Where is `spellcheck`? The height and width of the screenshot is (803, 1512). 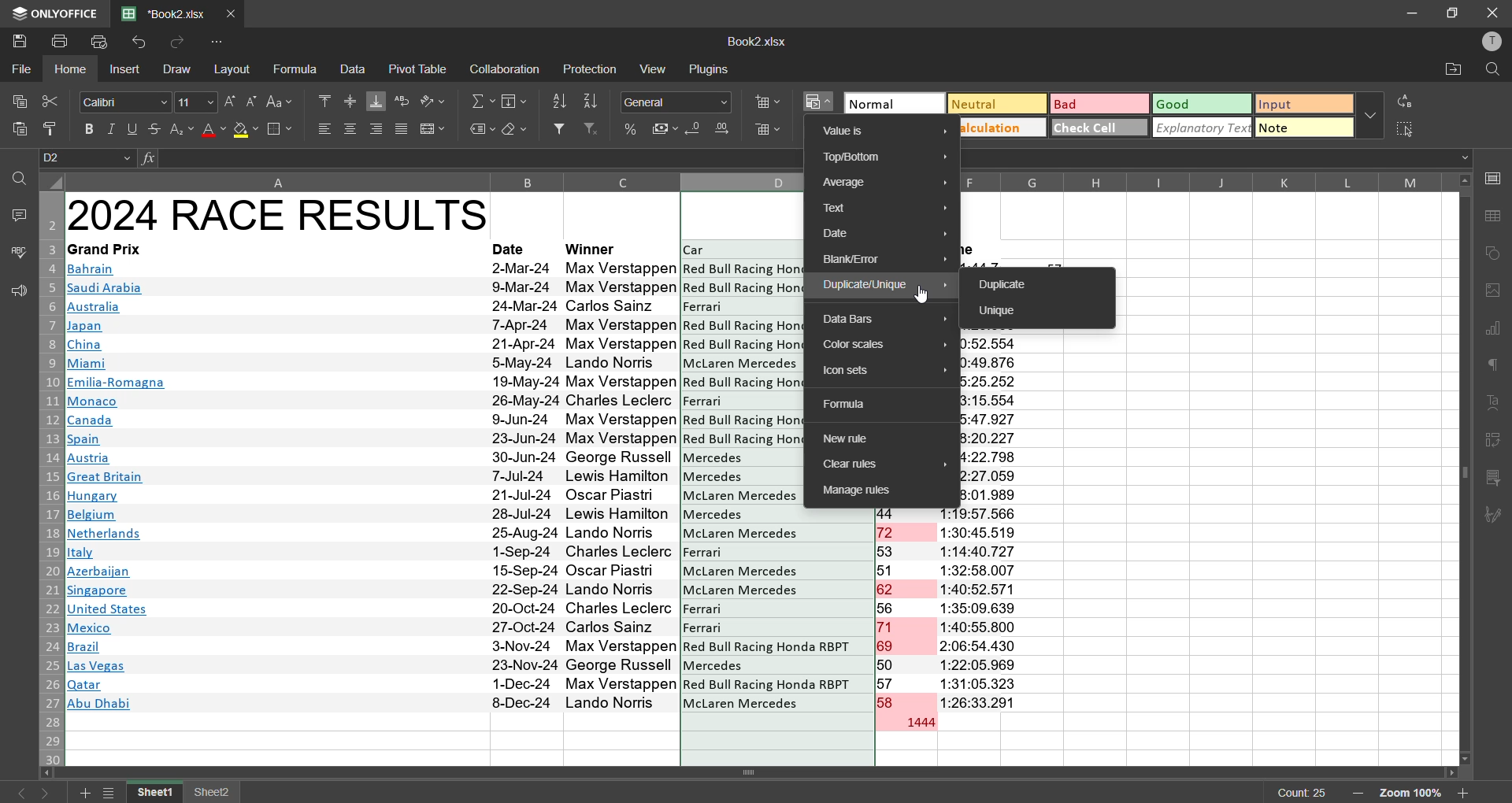 spellcheck is located at coordinates (17, 254).